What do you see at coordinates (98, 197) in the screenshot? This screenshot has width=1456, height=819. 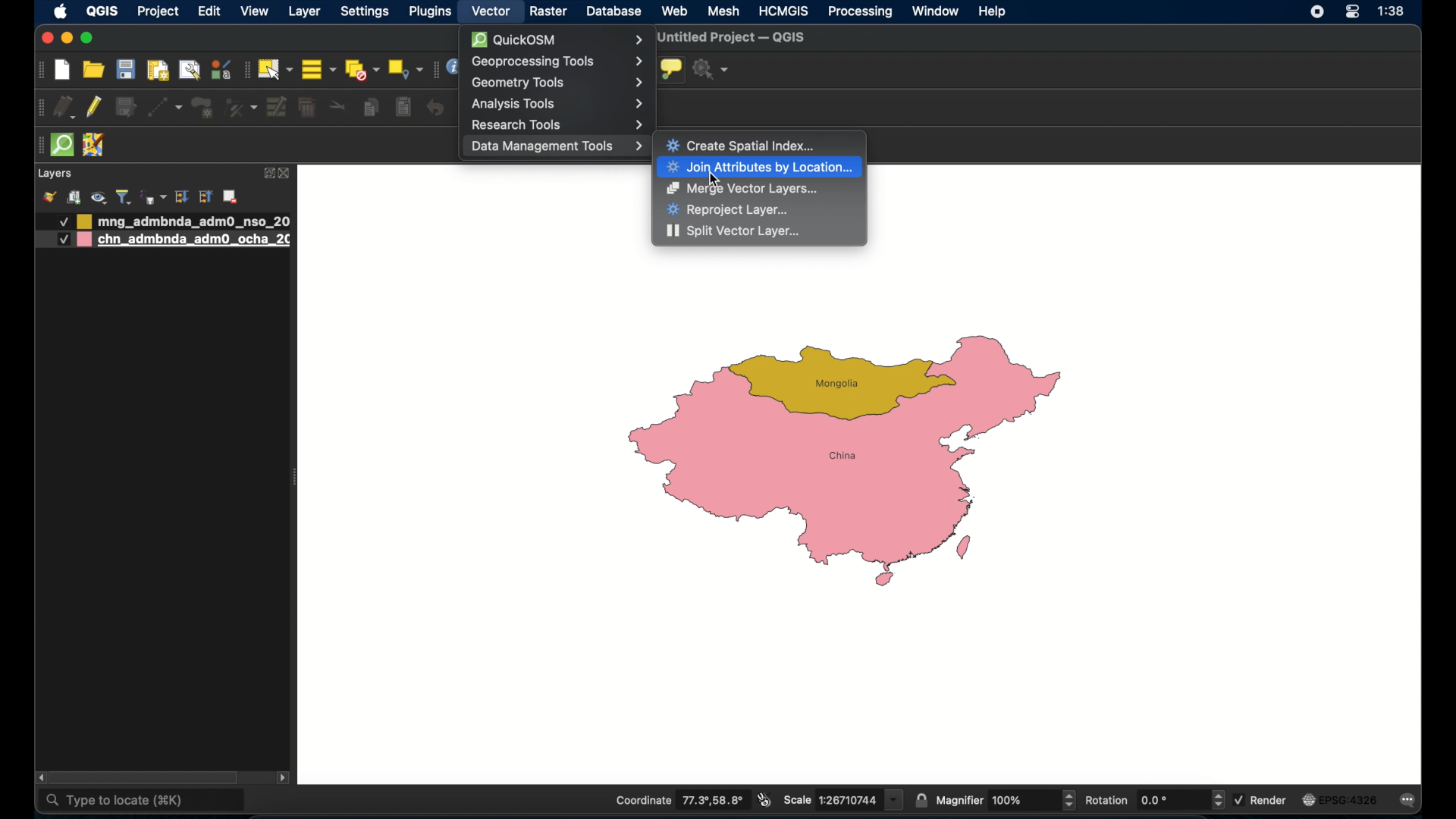 I see `manage map themes` at bounding box center [98, 197].